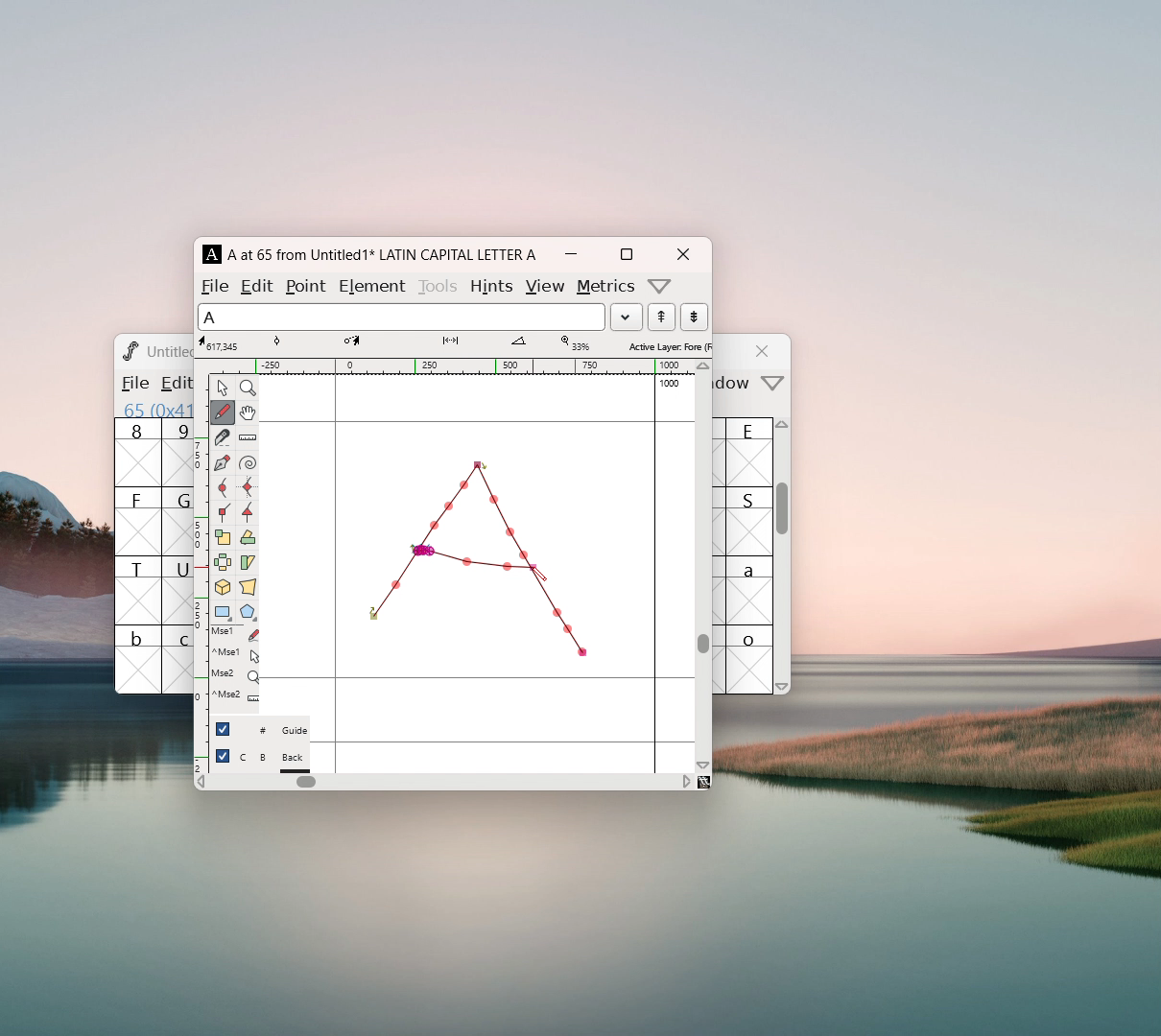 This screenshot has width=1161, height=1036. I want to click on checkbox, so click(223, 756).